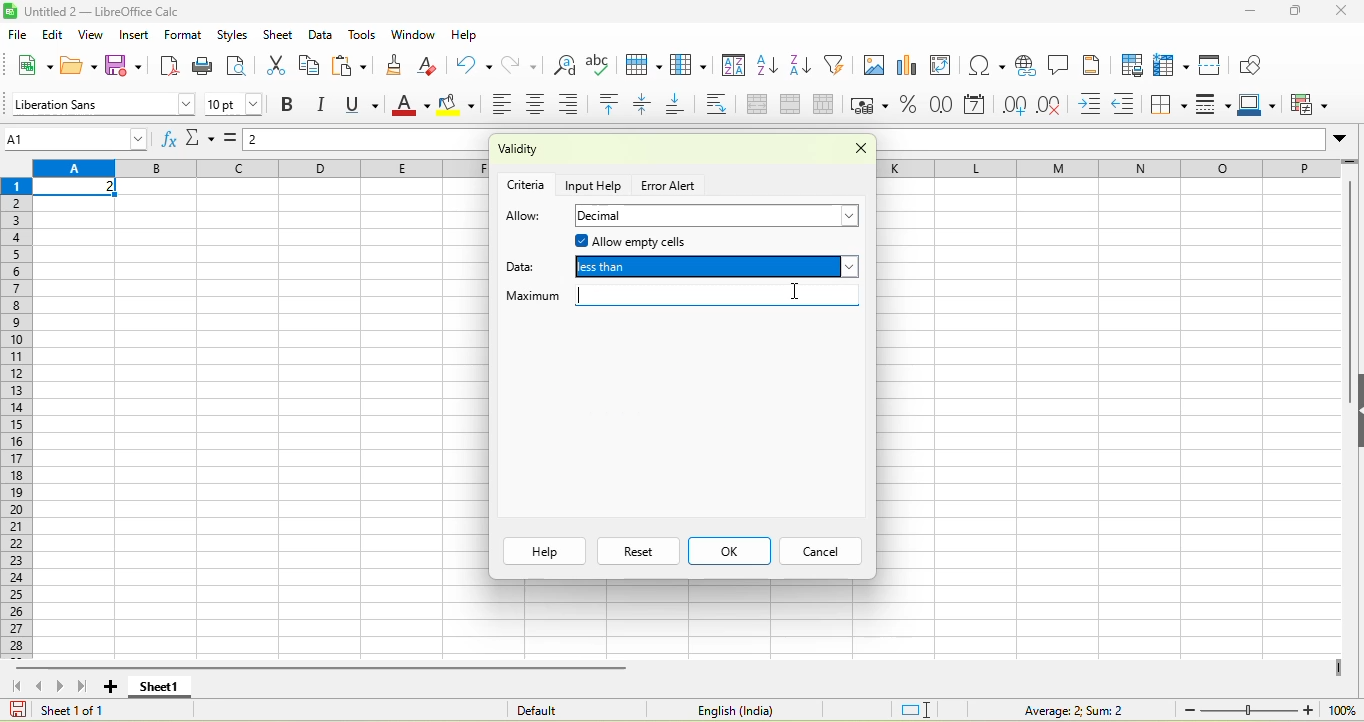 This screenshot has width=1364, height=722. What do you see at coordinates (464, 34) in the screenshot?
I see `help` at bounding box center [464, 34].